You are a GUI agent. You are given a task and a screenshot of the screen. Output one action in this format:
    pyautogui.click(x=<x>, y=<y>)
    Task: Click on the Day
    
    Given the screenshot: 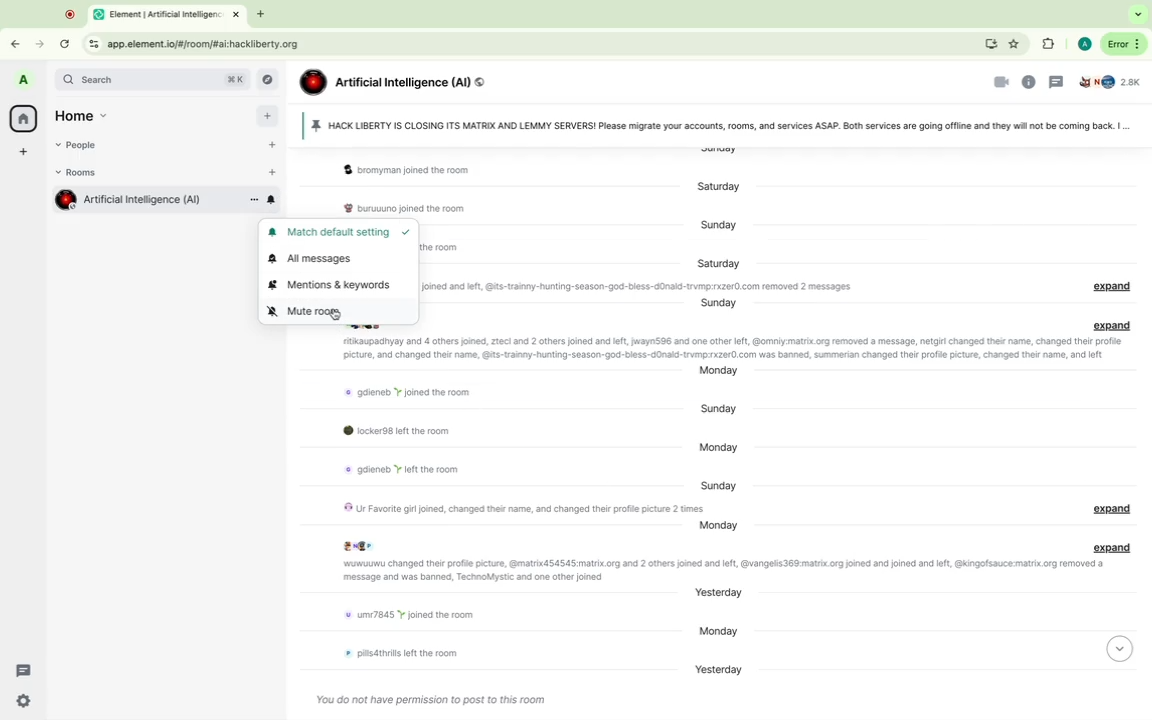 What is the action you would take?
    pyautogui.click(x=717, y=672)
    